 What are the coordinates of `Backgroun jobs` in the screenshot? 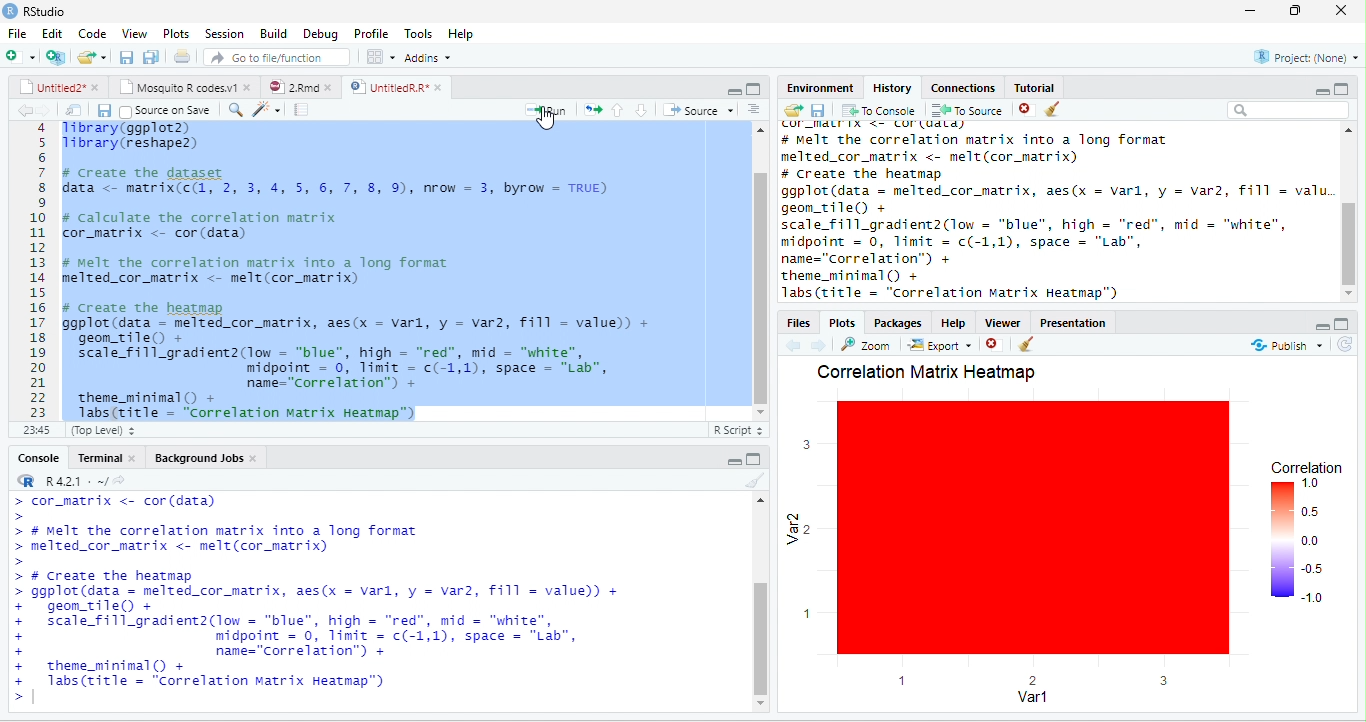 It's located at (217, 458).